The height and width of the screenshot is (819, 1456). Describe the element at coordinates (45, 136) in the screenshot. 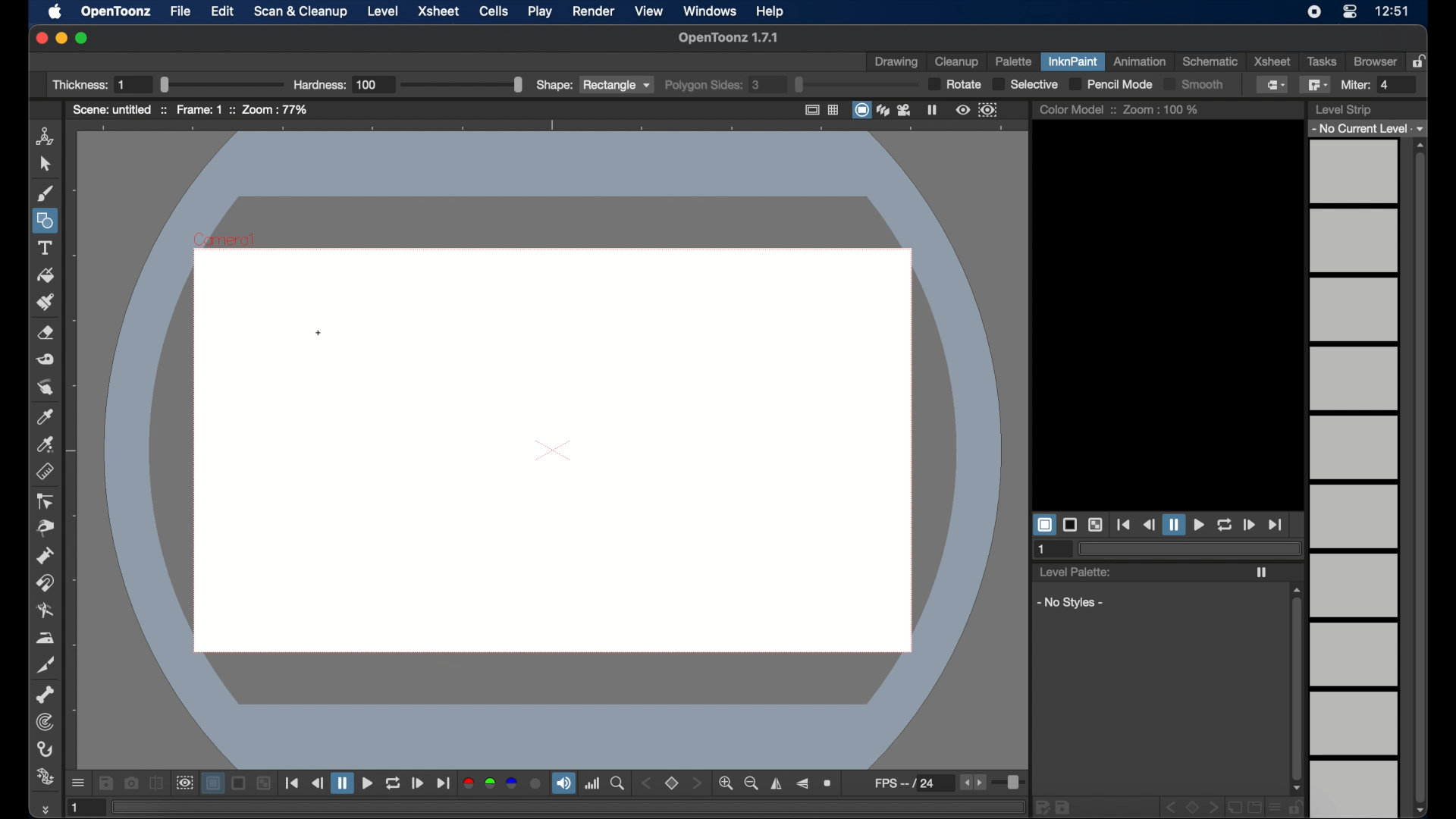

I see `animate tool` at that location.